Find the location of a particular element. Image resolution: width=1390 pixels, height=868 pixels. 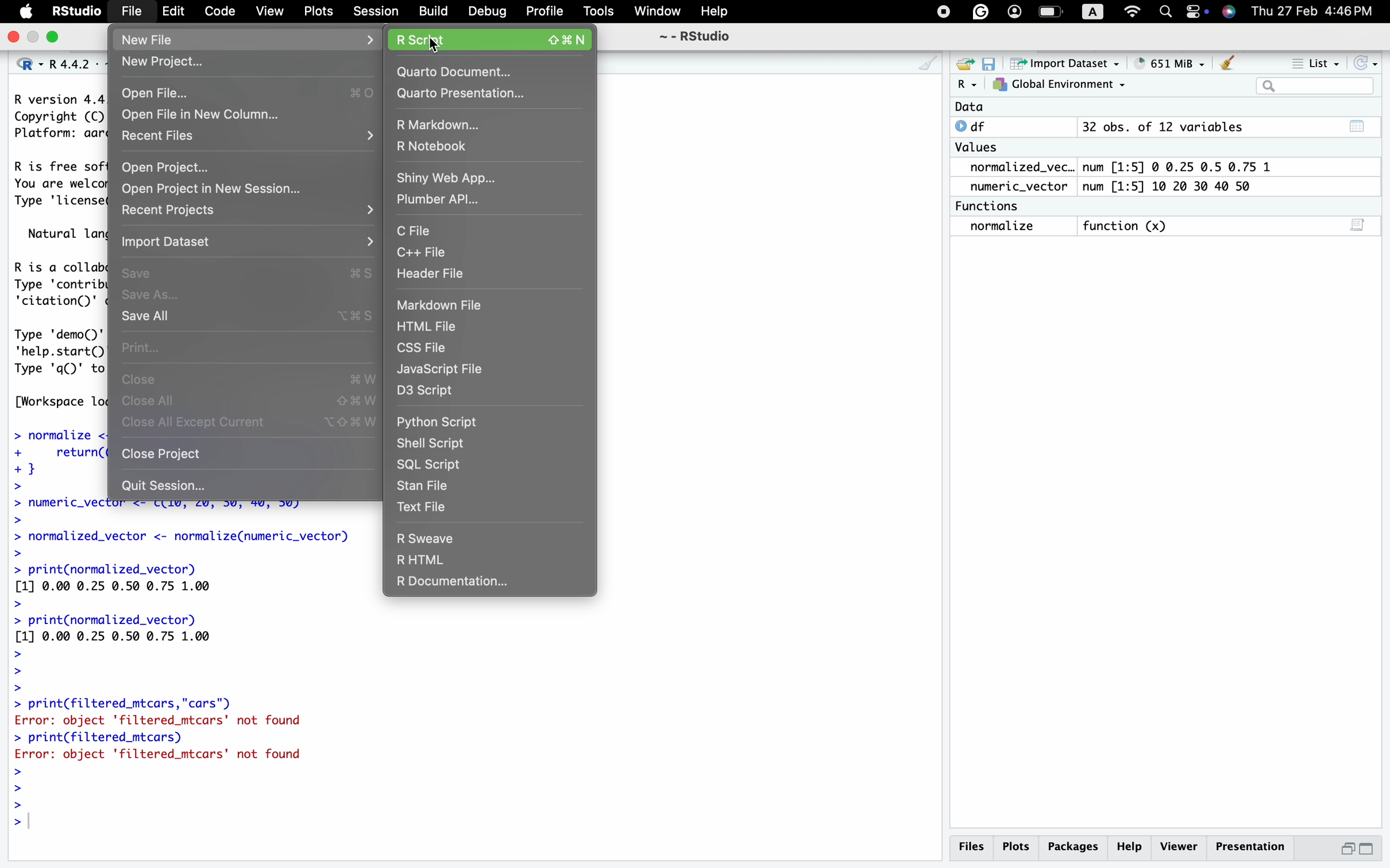

utility is located at coordinates (1228, 11).